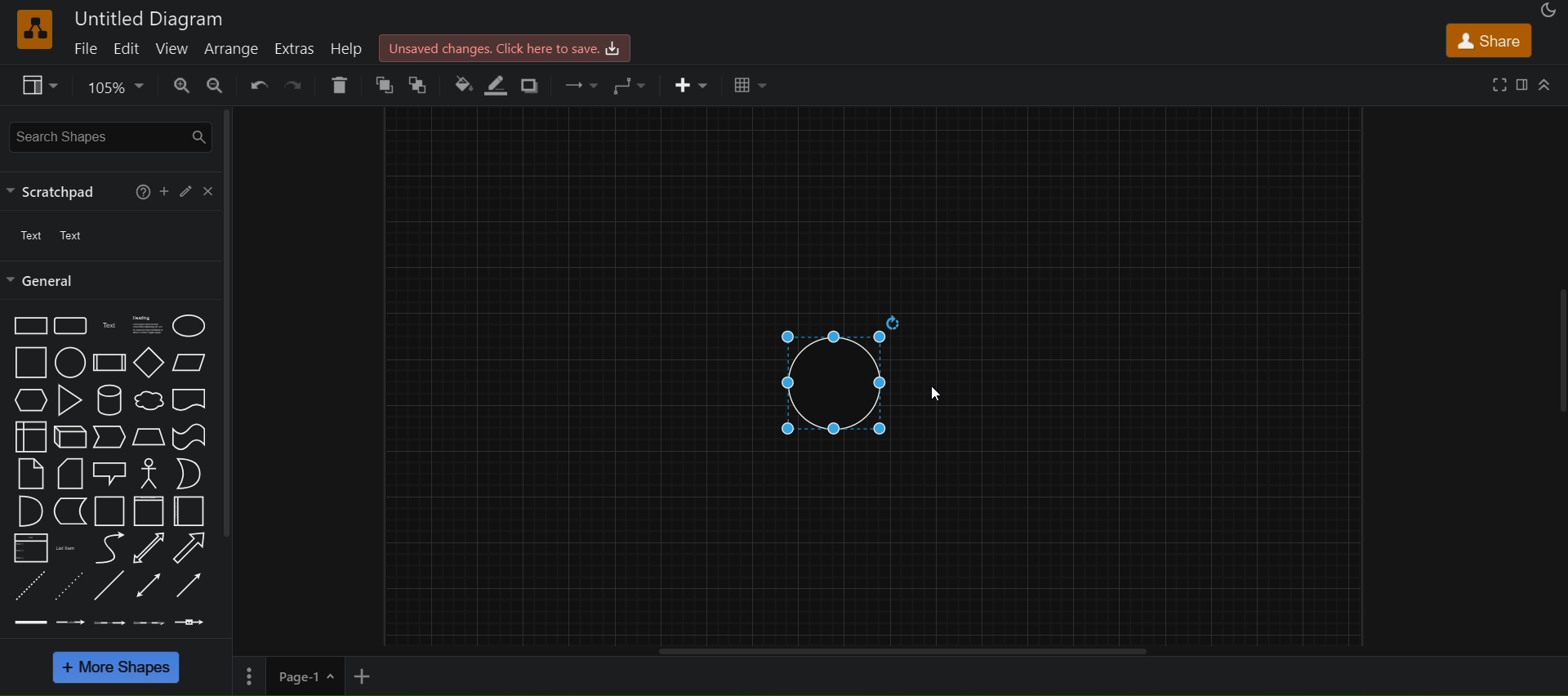 The image size is (1568, 696). Describe the element at coordinates (292, 84) in the screenshot. I see `redo` at that location.